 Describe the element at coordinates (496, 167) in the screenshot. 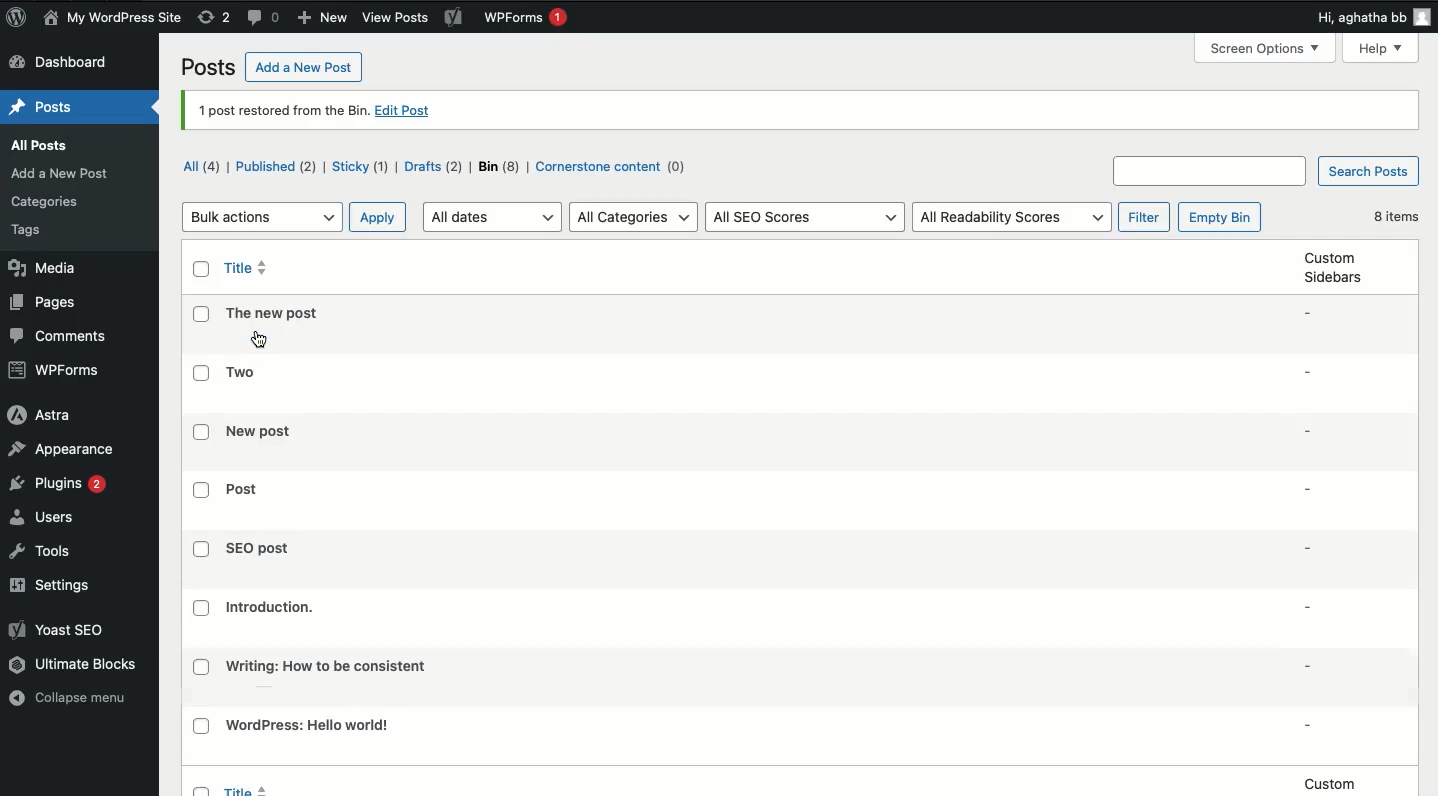

I see `Bin` at that location.